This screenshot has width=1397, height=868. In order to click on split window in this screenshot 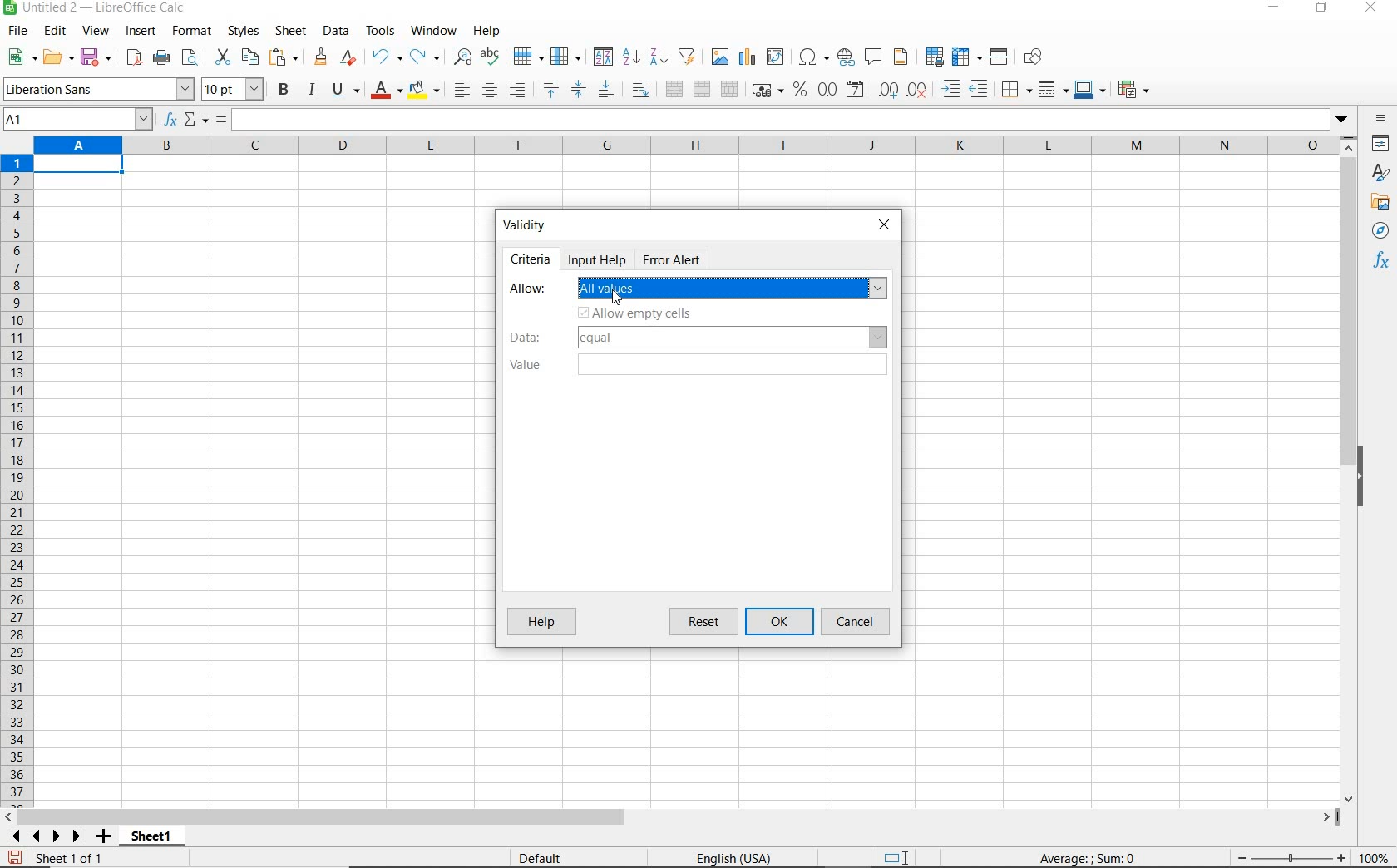, I will do `click(1000, 57)`.